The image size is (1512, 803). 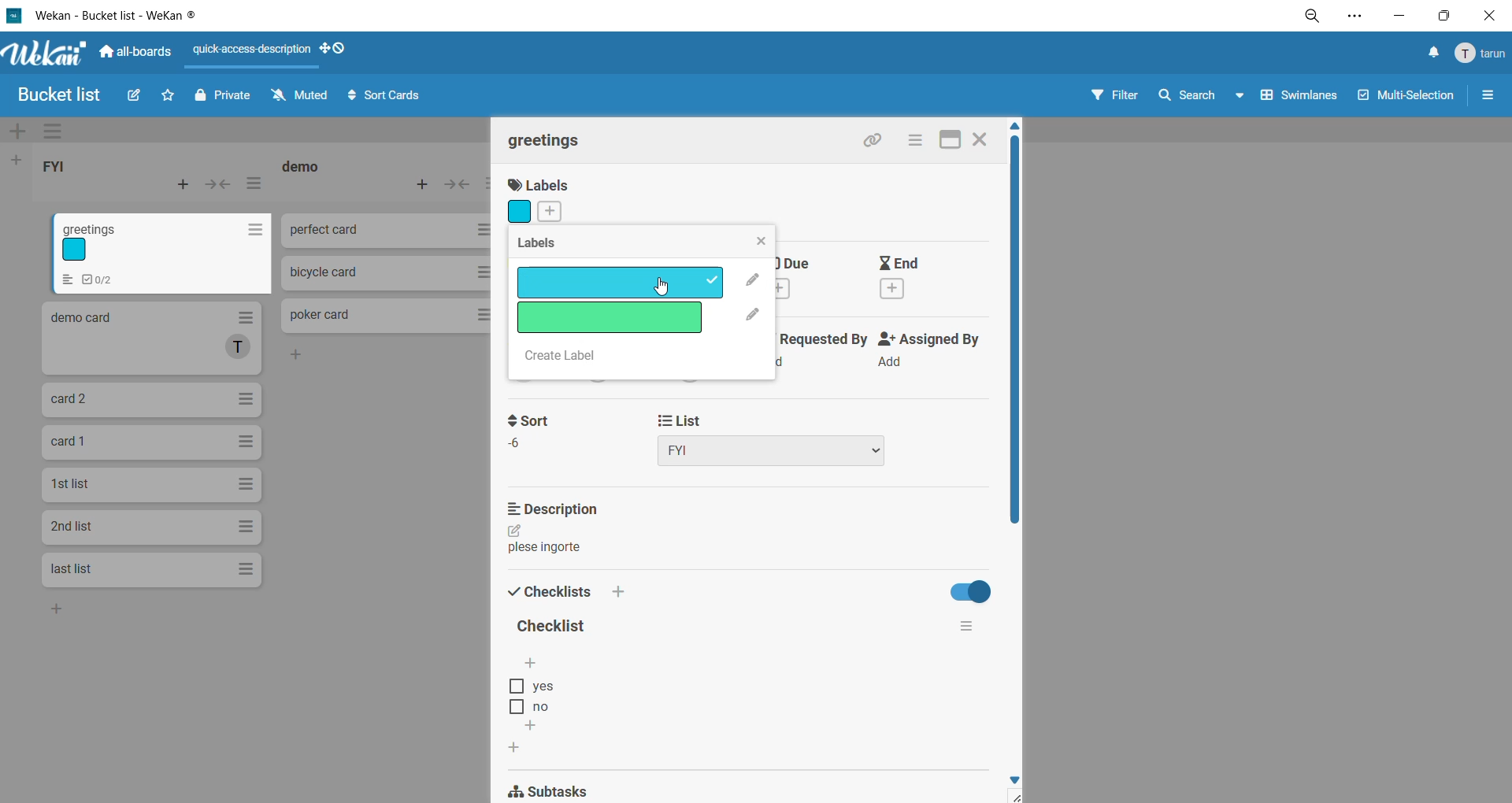 I want to click on sort, so click(x=539, y=432).